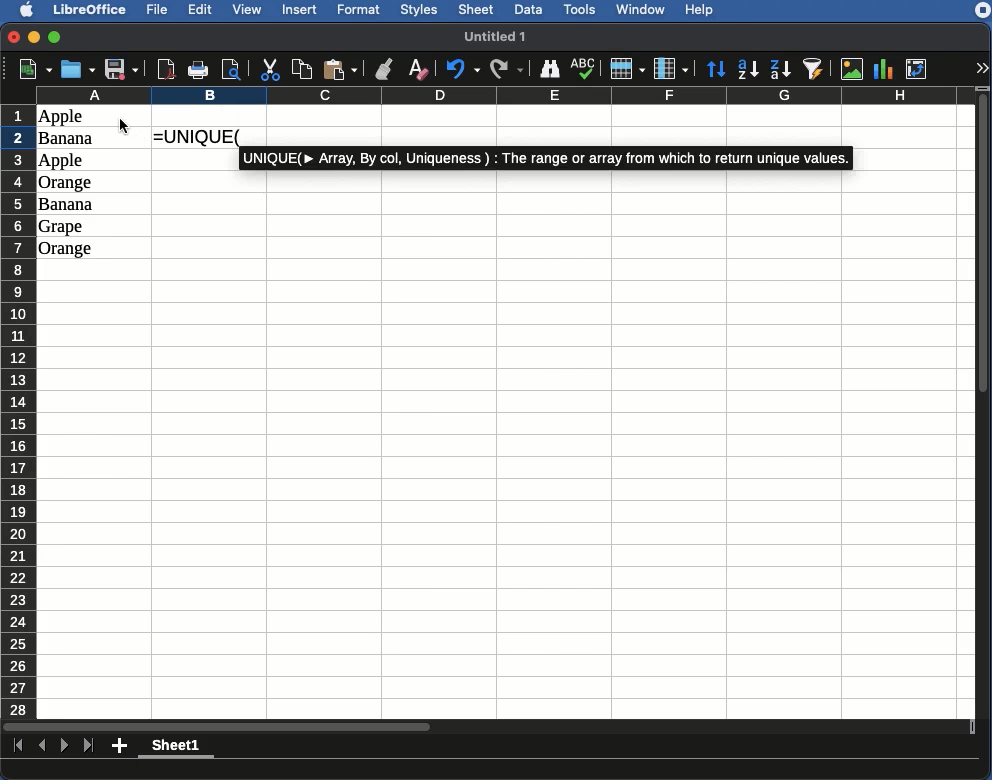  I want to click on View, so click(249, 11).